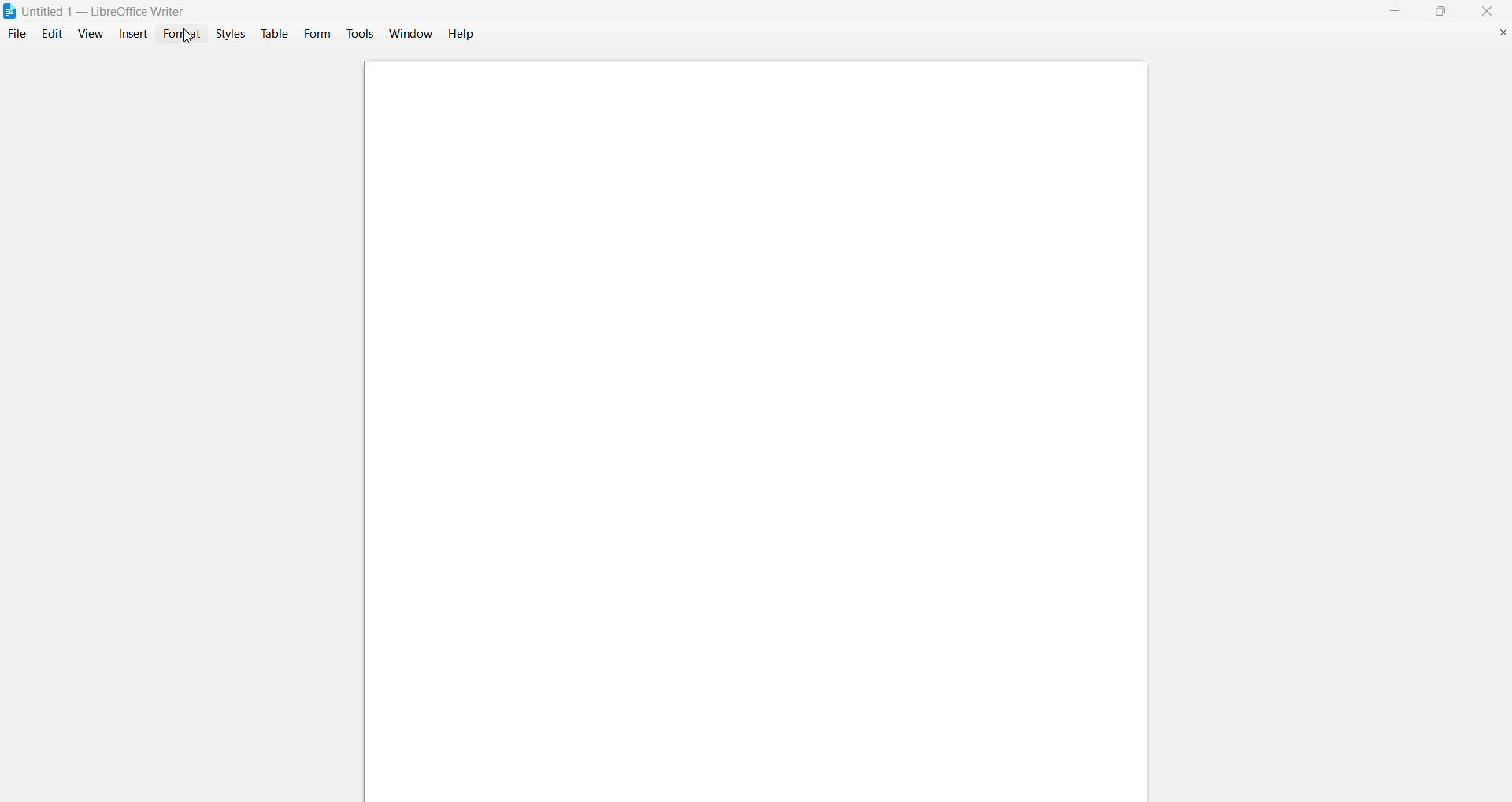 The width and height of the screenshot is (1512, 802). What do you see at coordinates (459, 35) in the screenshot?
I see `help` at bounding box center [459, 35].